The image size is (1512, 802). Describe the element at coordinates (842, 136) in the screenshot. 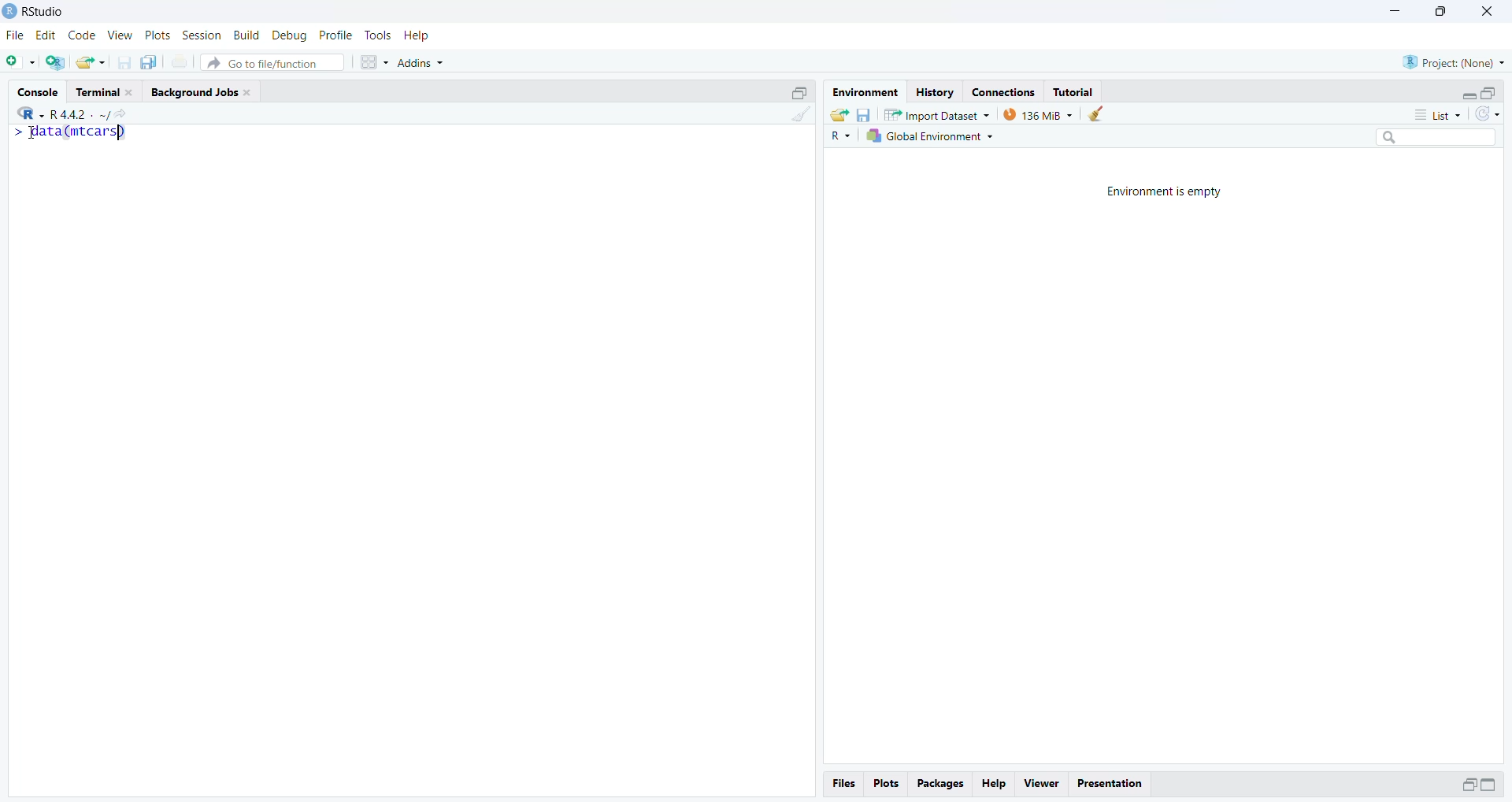

I see `R` at that location.